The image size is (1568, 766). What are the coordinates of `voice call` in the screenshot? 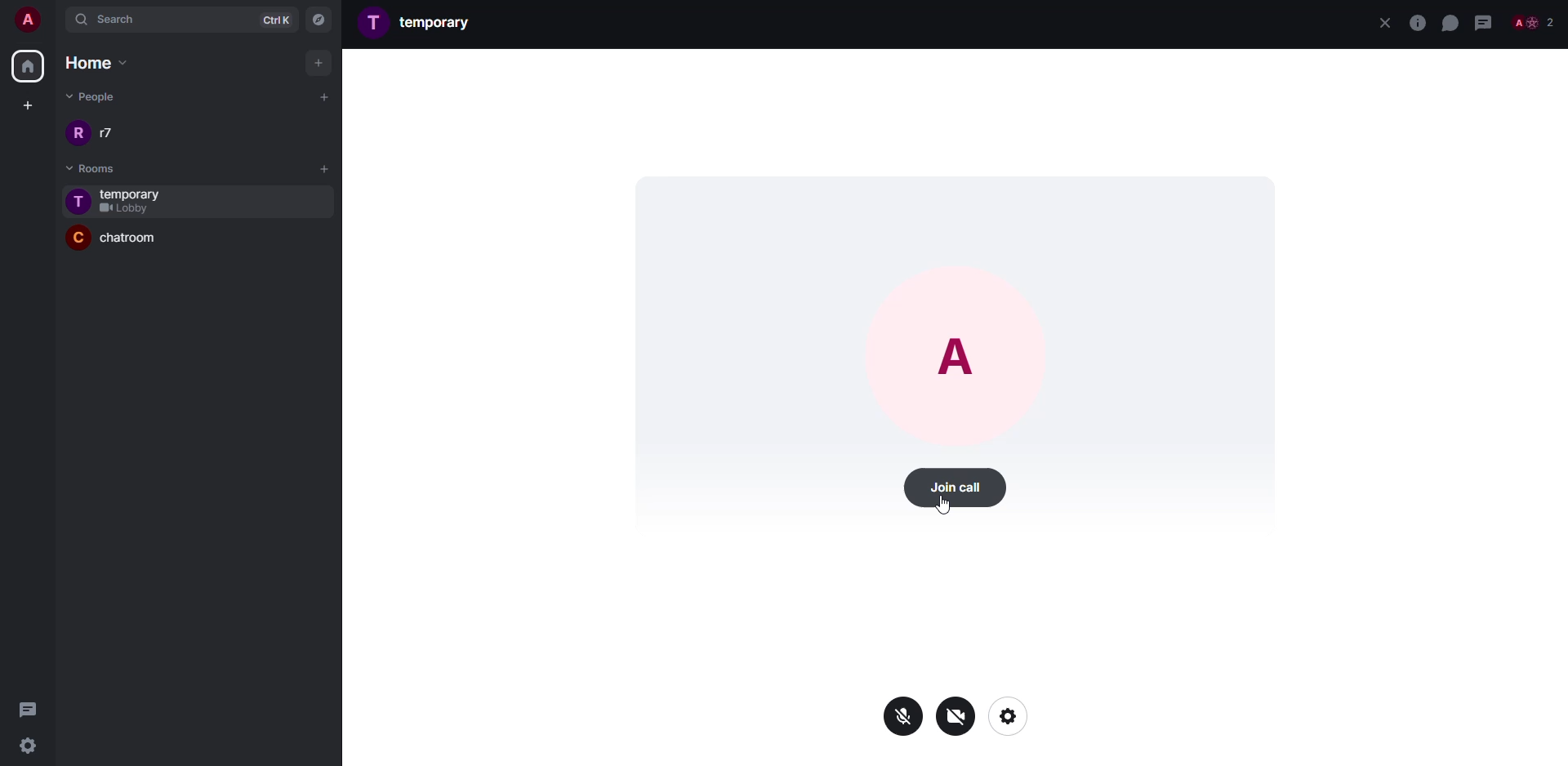 It's located at (1417, 23).